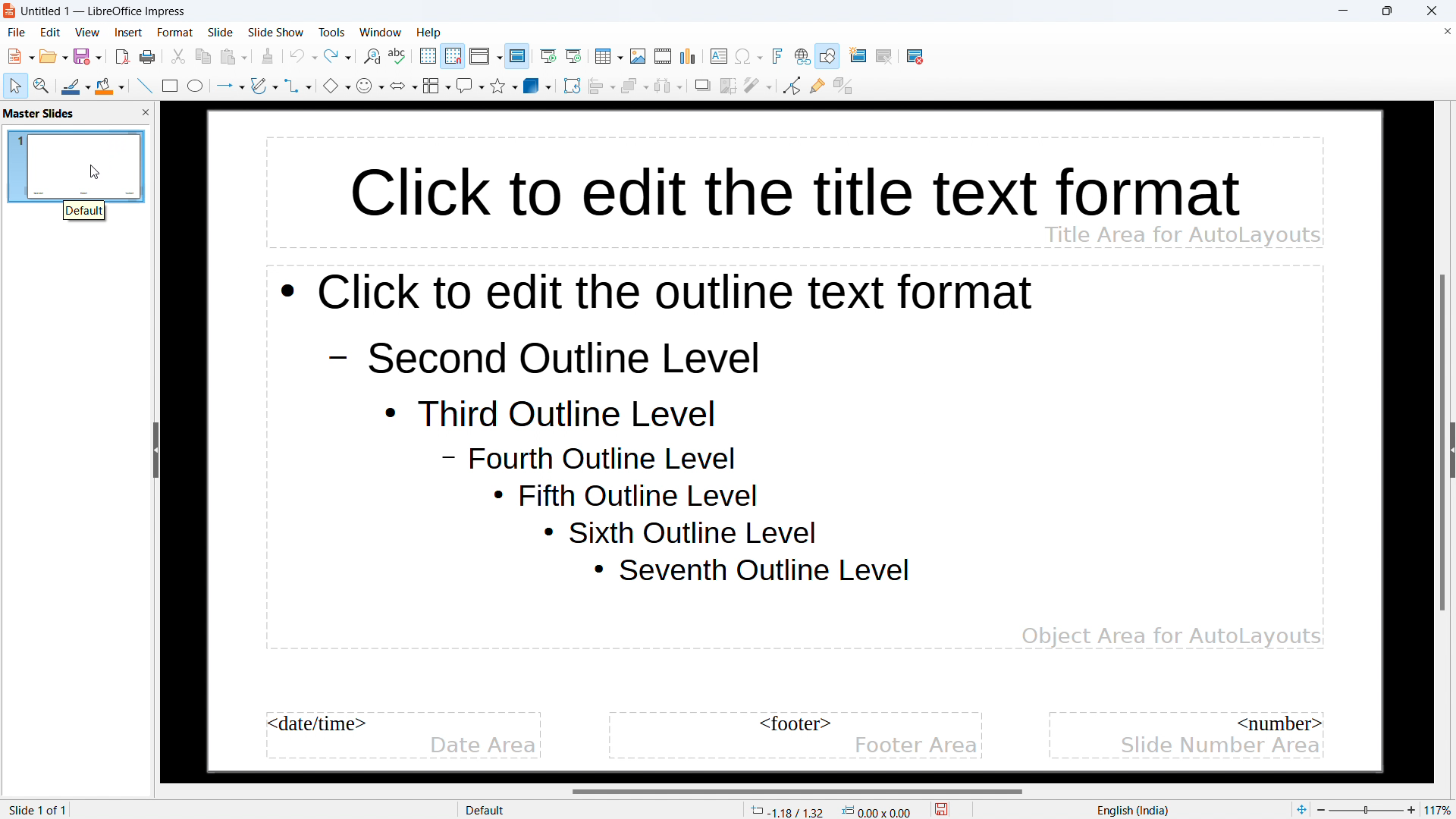 The width and height of the screenshot is (1456, 819). What do you see at coordinates (320, 724) in the screenshot?
I see `<date/time>` at bounding box center [320, 724].